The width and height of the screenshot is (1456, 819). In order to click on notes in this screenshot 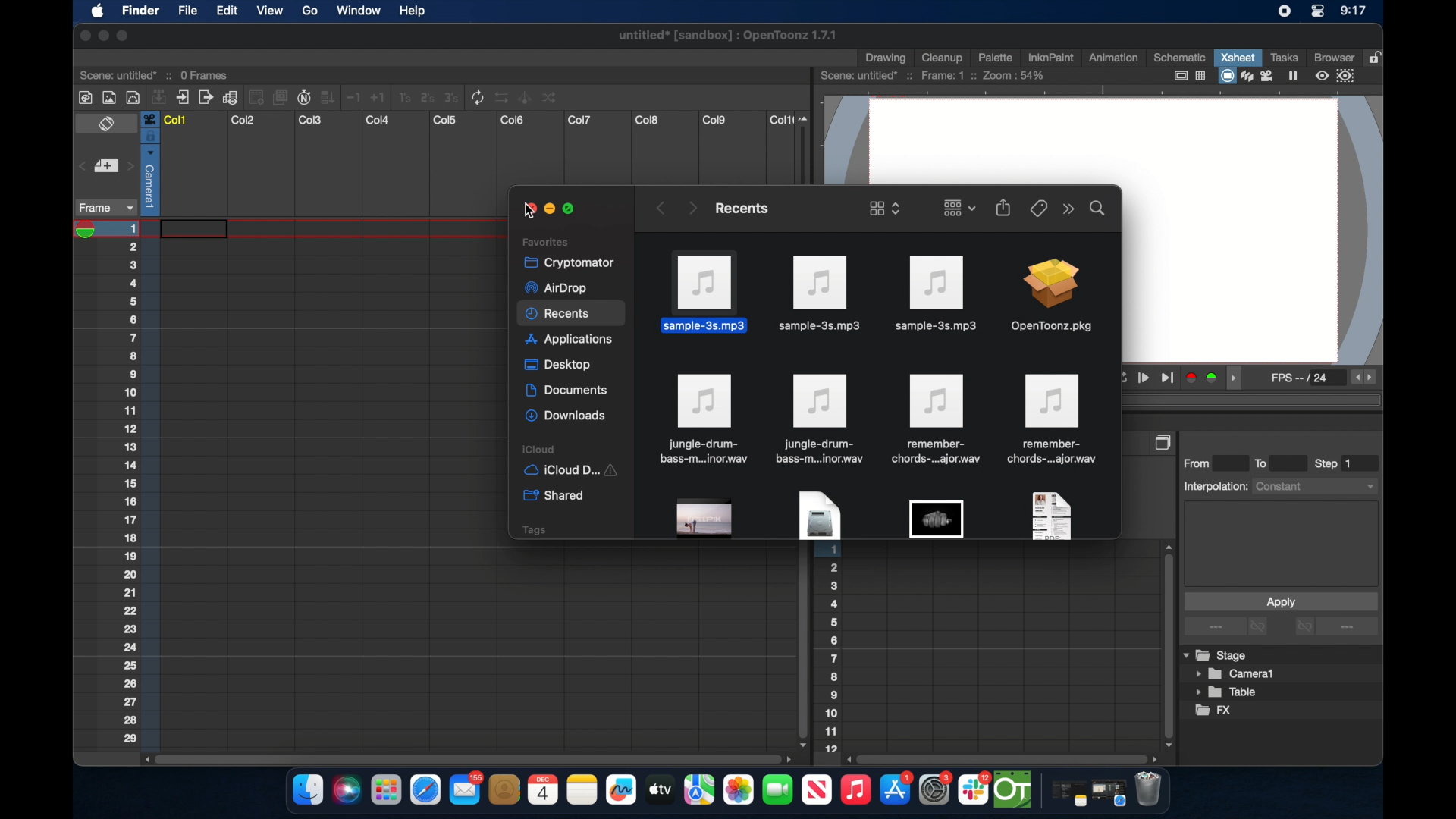, I will do `click(582, 790)`.